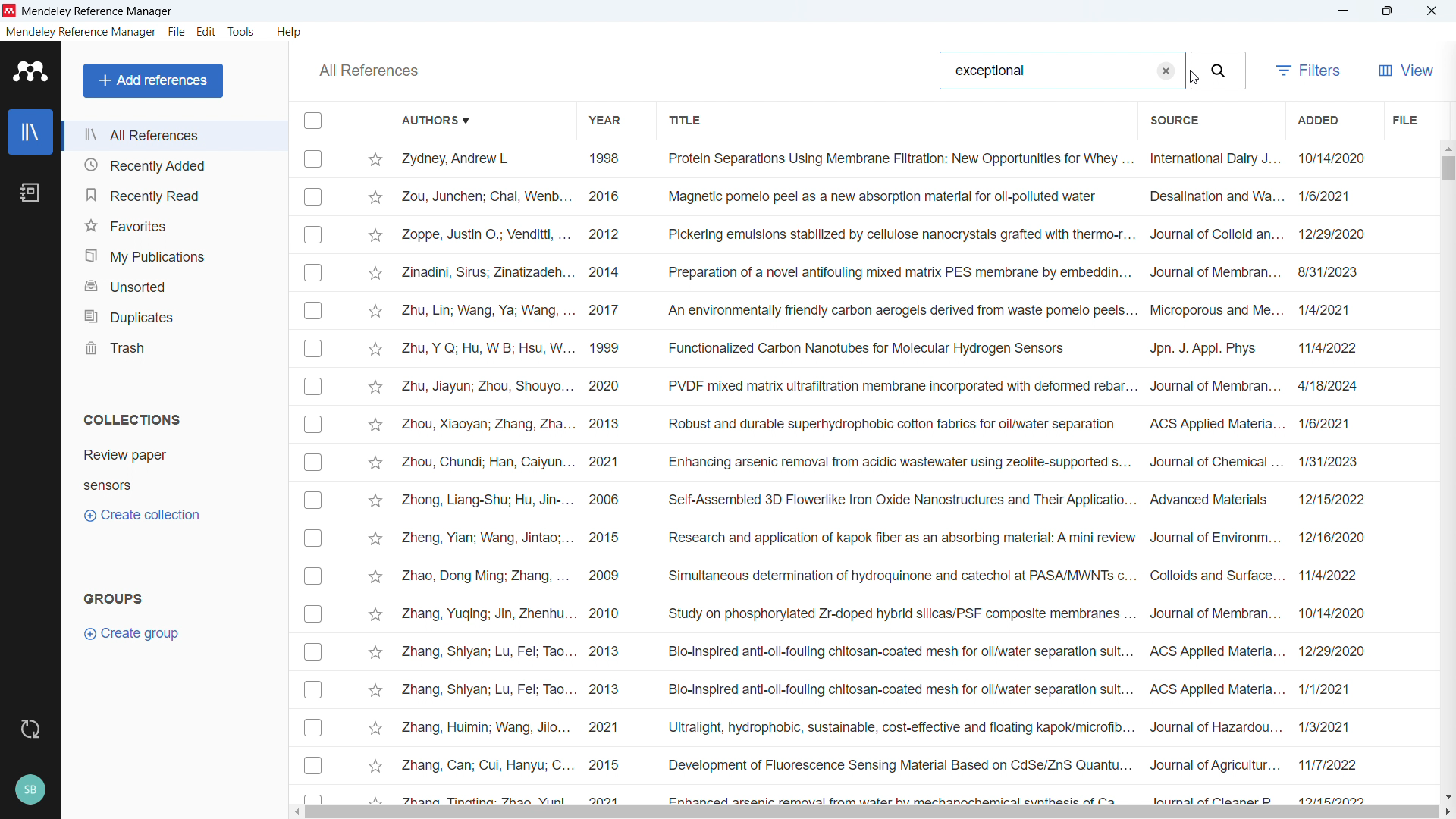 The width and height of the screenshot is (1456, 819). I want to click on All references , so click(174, 135).